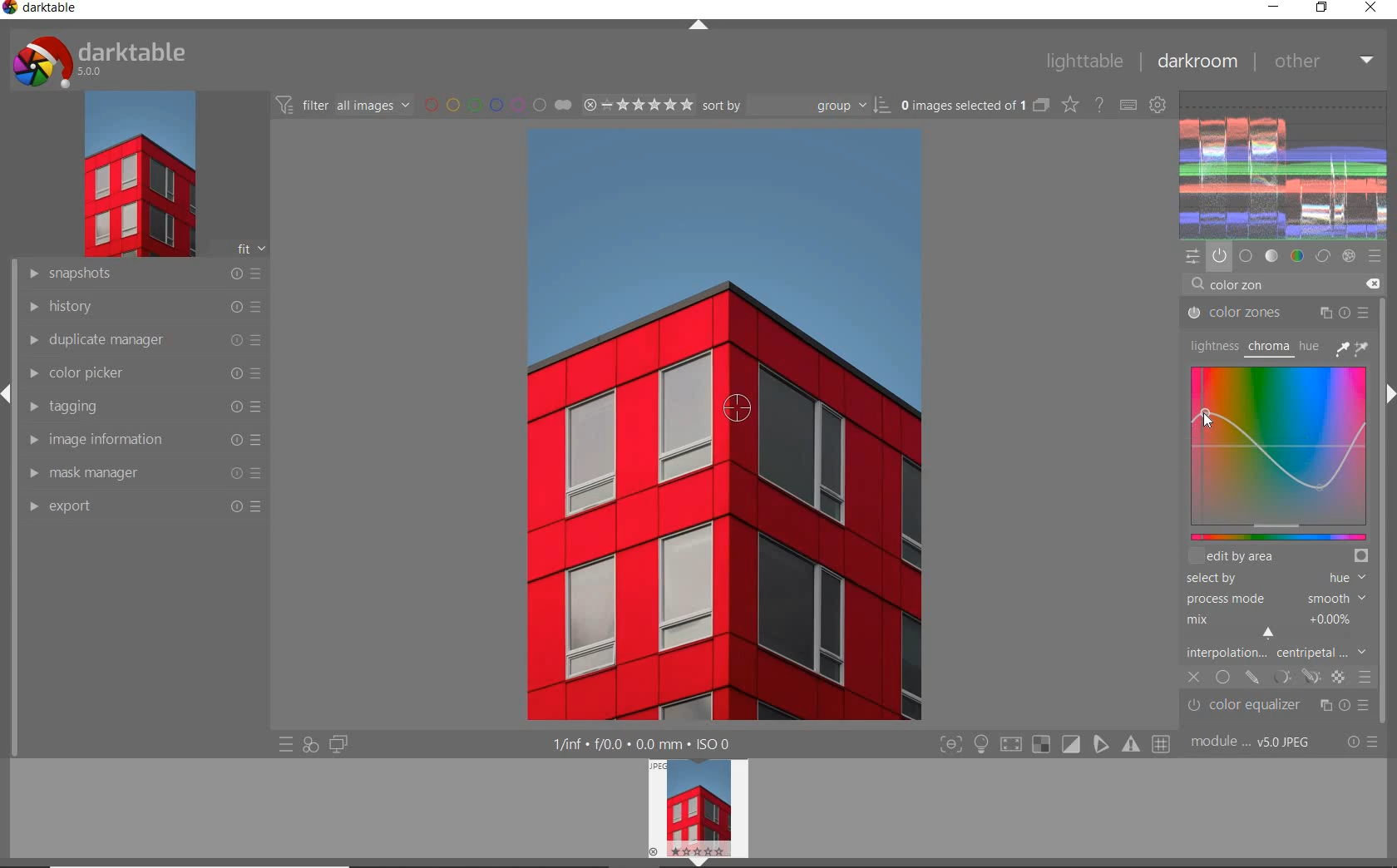 This screenshot has height=868, width=1397. Describe the element at coordinates (1280, 708) in the screenshot. I see `color equalizer` at that location.